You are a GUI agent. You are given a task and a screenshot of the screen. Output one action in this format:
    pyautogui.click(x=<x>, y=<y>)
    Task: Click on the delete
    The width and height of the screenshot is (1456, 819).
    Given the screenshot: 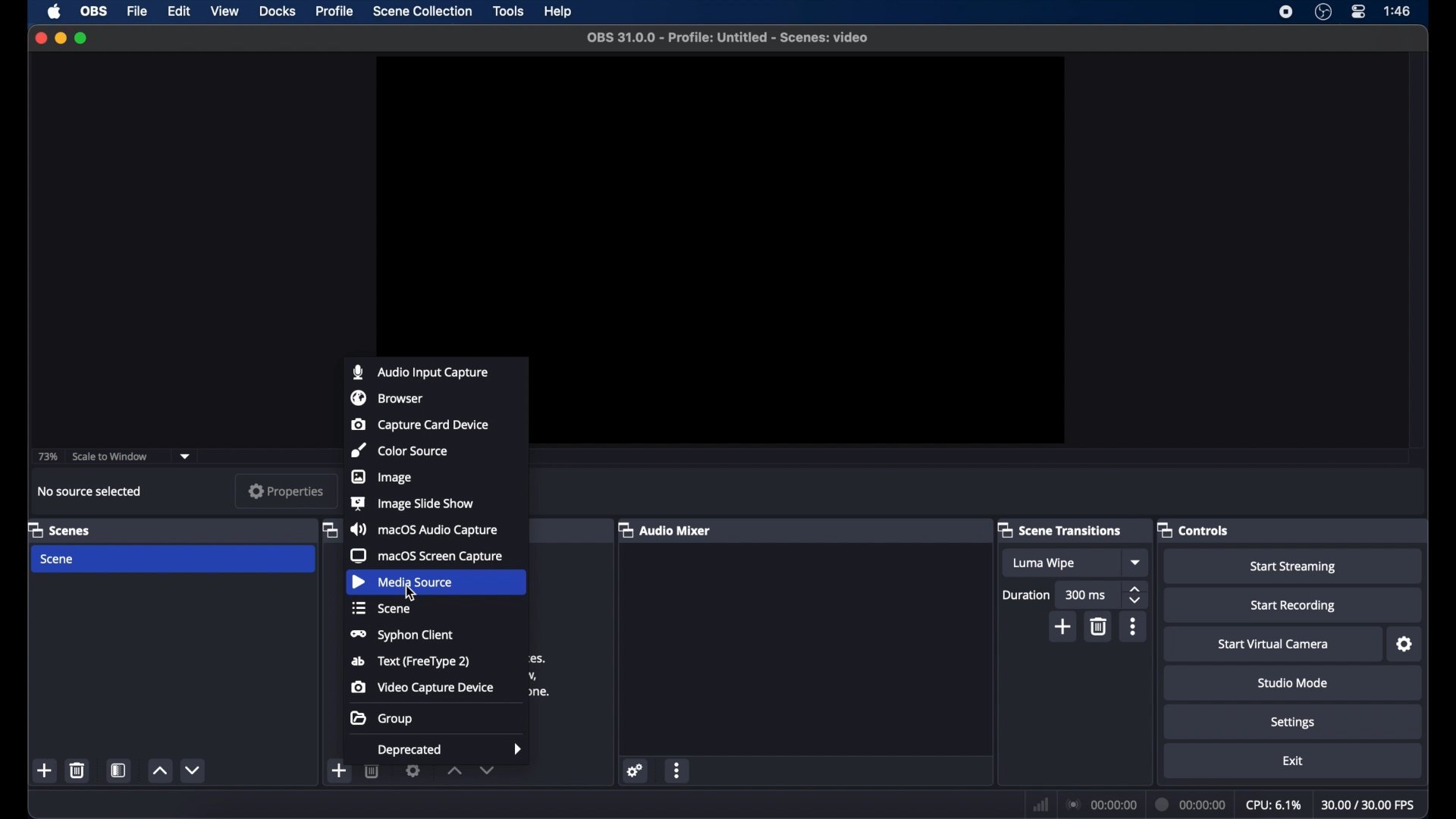 What is the action you would take?
    pyautogui.click(x=372, y=772)
    